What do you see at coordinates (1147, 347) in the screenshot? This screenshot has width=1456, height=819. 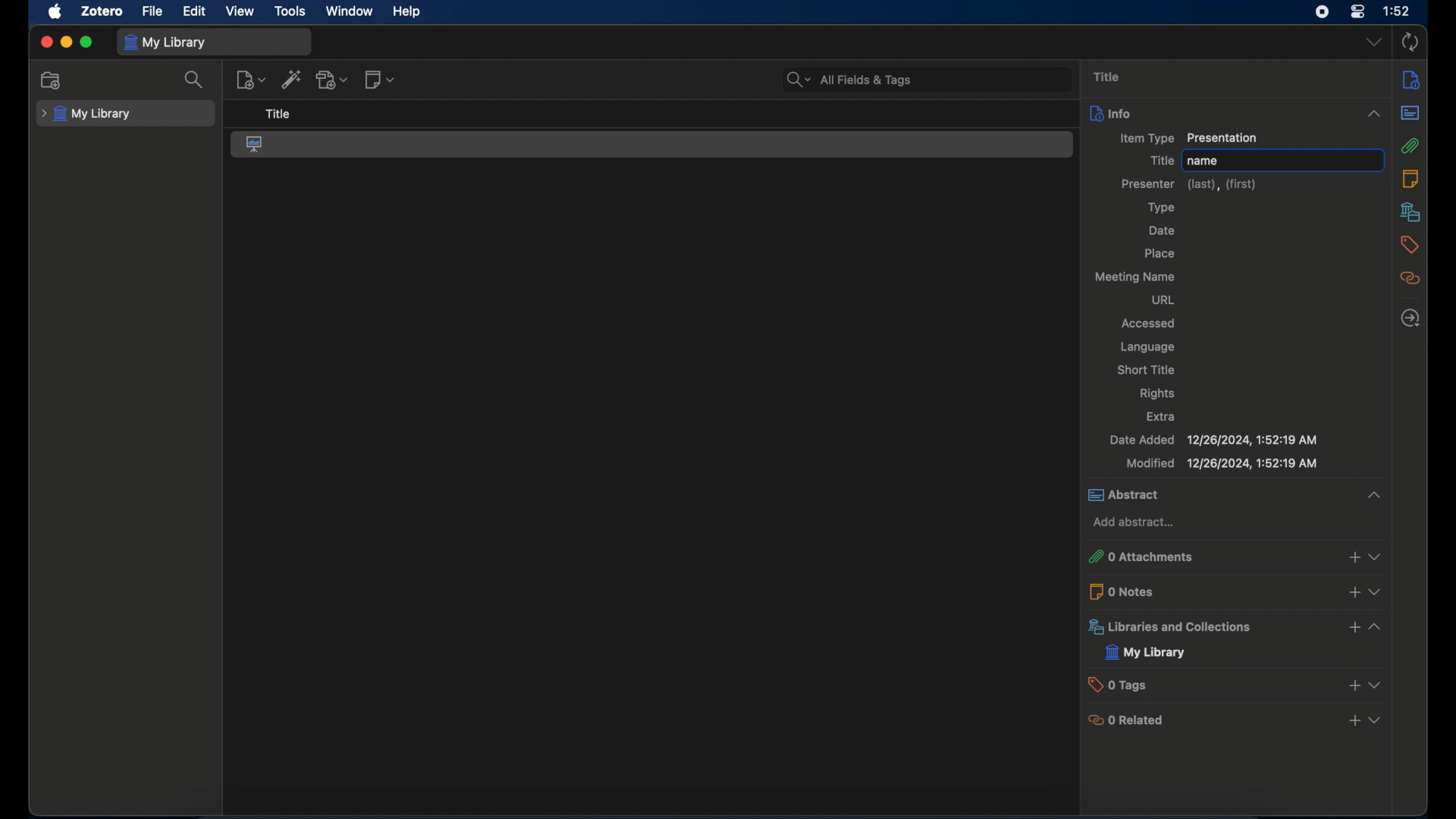 I see `language` at bounding box center [1147, 347].